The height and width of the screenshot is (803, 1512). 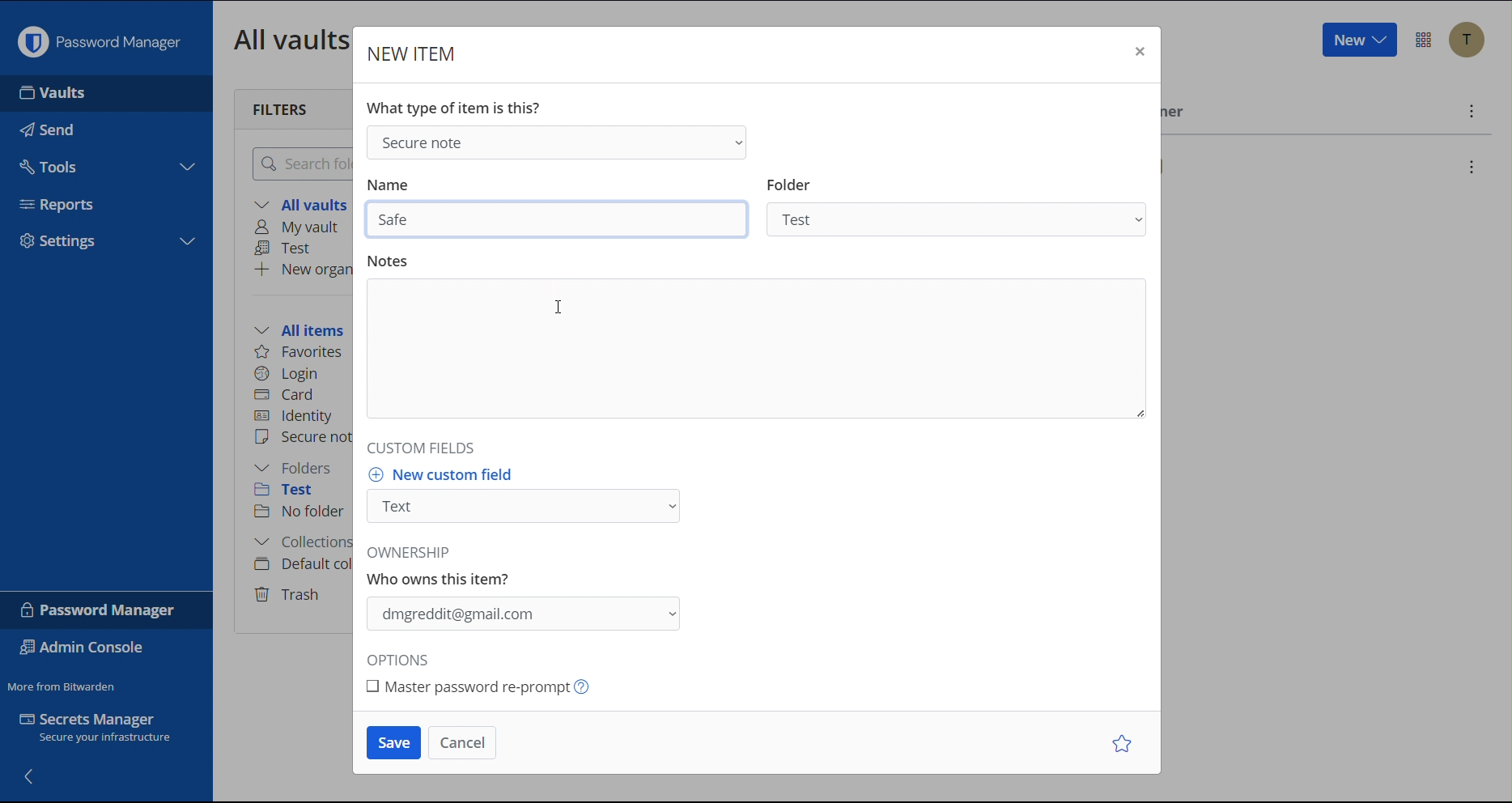 What do you see at coordinates (403, 661) in the screenshot?
I see `Options` at bounding box center [403, 661].